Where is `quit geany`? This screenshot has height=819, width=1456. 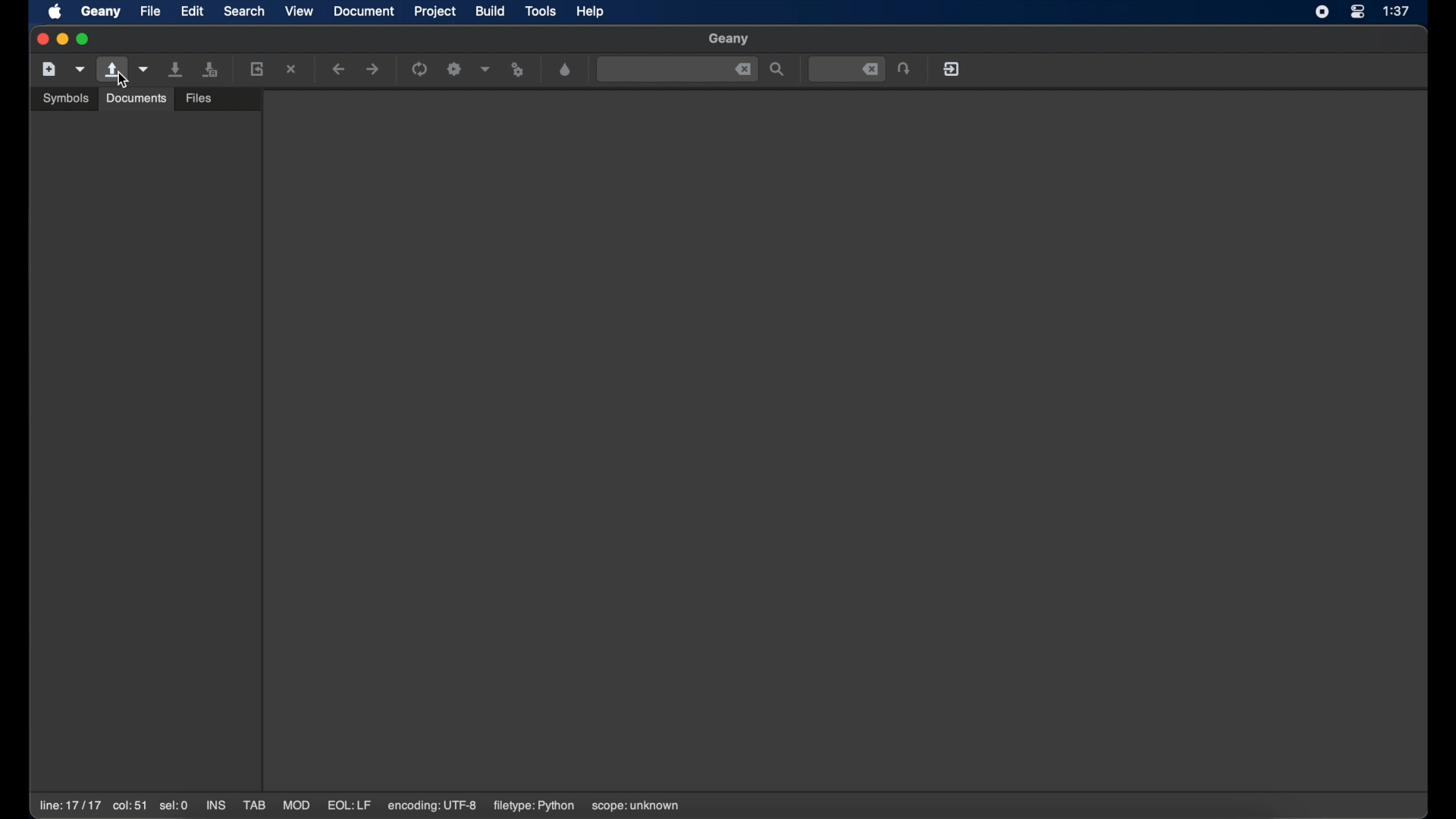 quit geany is located at coordinates (951, 68).